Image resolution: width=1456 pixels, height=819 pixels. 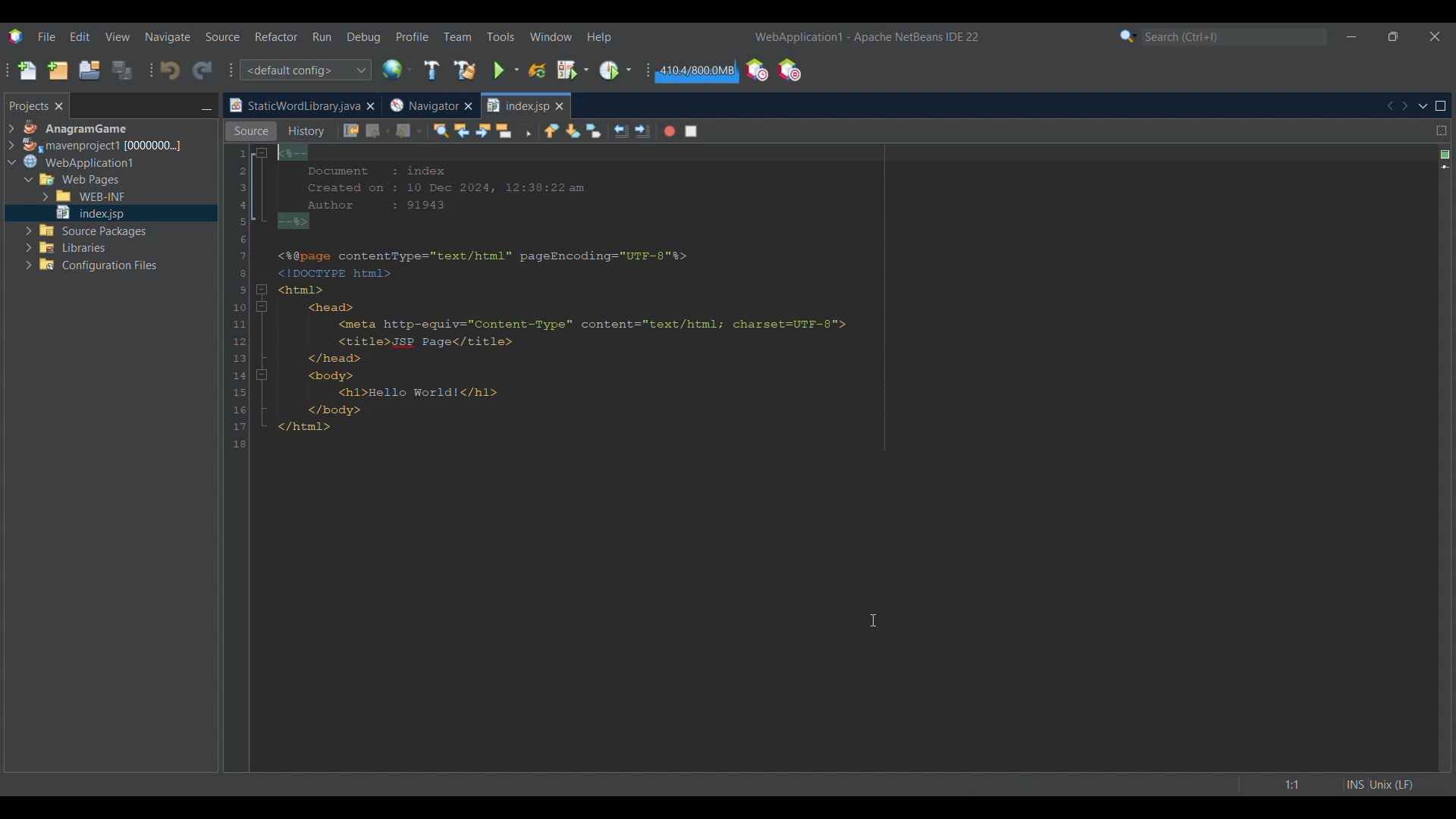 What do you see at coordinates (1235, 36) in the screenshot?
I see `Search box` at bounding box center [1235, 36].